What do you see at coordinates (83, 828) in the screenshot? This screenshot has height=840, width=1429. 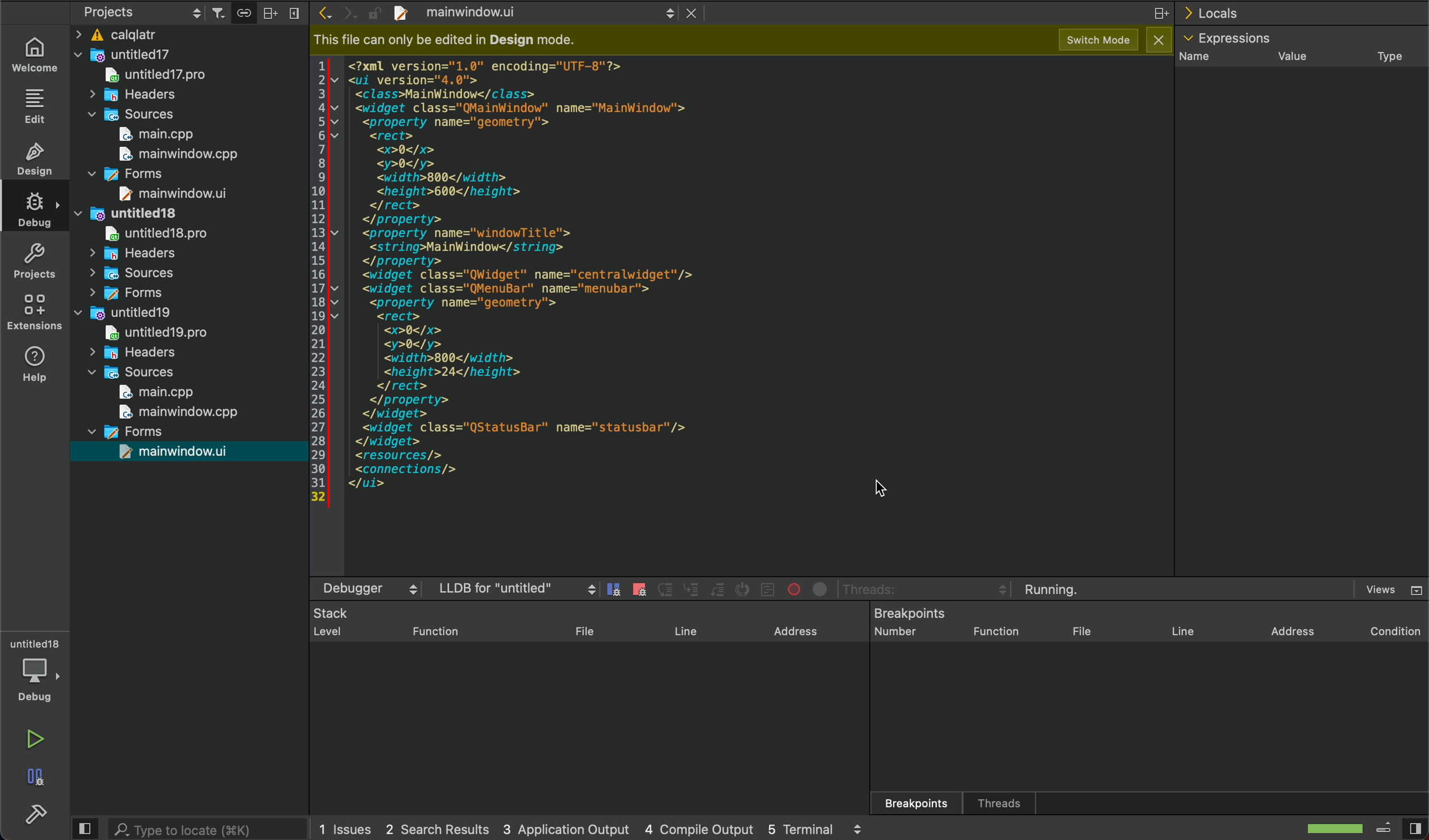 I see `hide sidebar` at bounding box center [83, 828].